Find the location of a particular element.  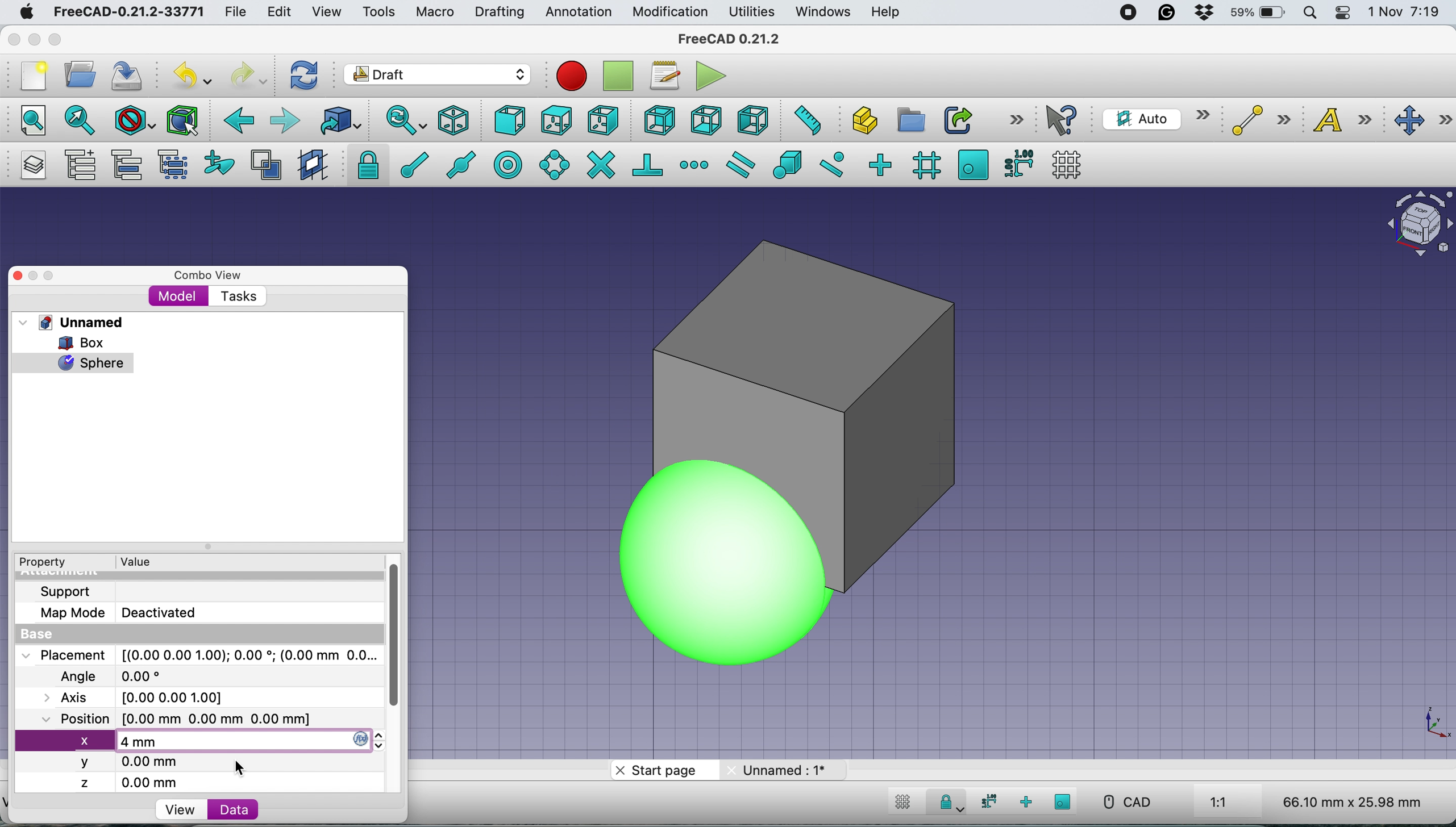

snap near is located at coordinates (832, 163).